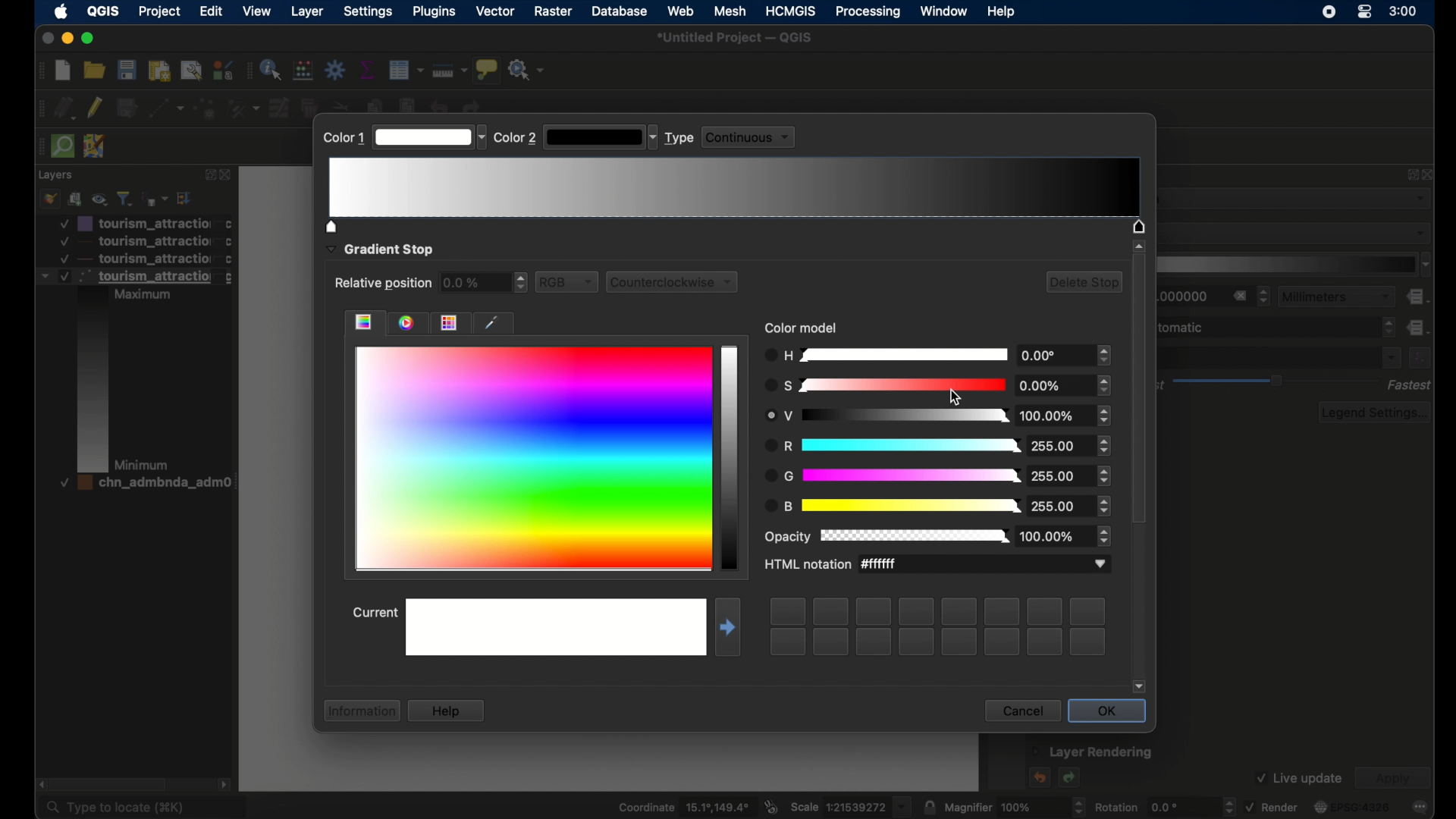 The width and height of the screenshot is (1456, 819). Describe the element at coordinates (1420, 358) in the screenshot. I see `expression builder` at that location.